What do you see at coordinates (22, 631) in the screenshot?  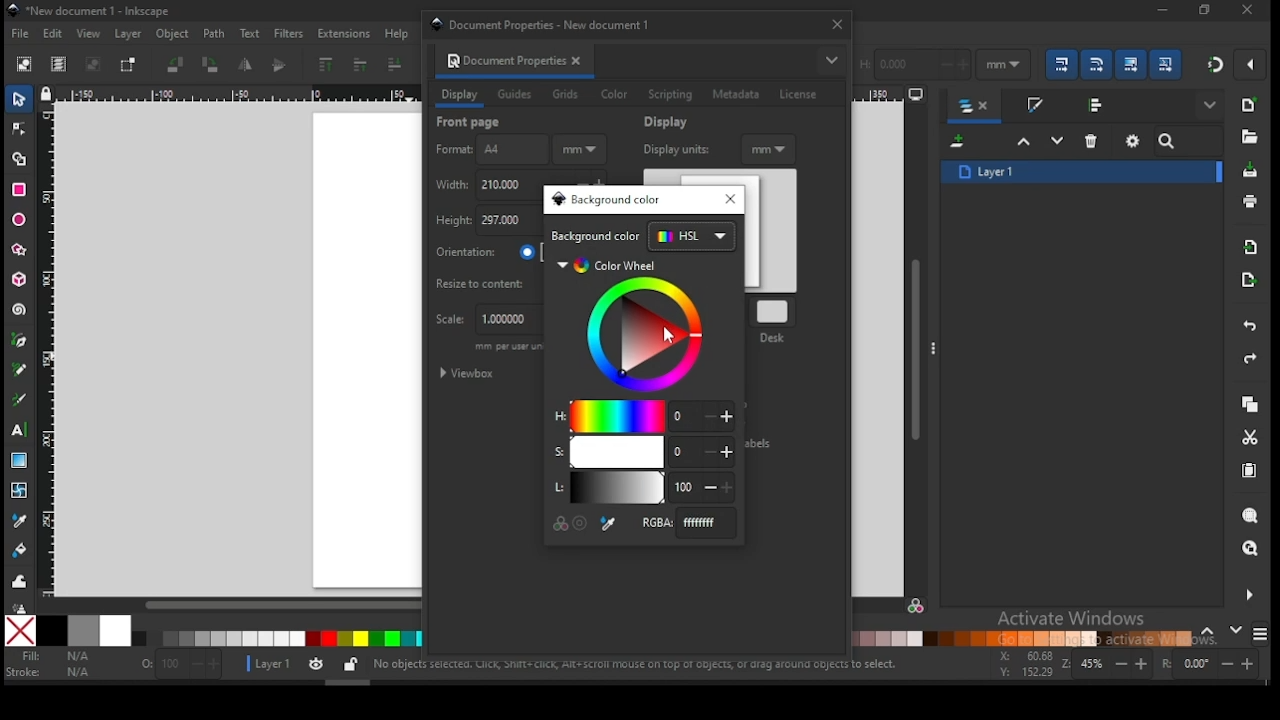 I see `none` at bounding box center [22, 631].